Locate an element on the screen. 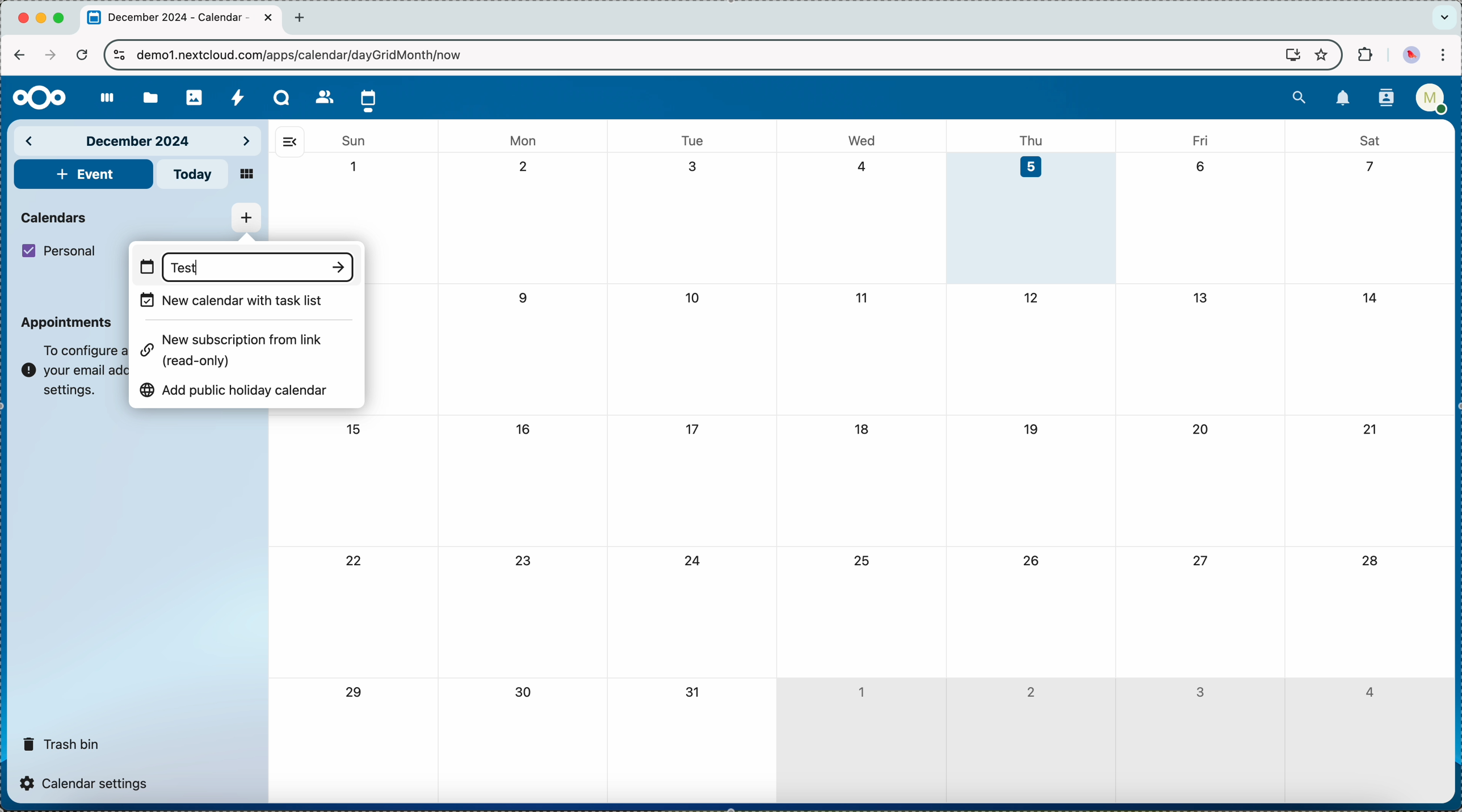 The height and width of the screenshot is (812, 1462). Nextcloud logo is located at coordinates (35, 98).